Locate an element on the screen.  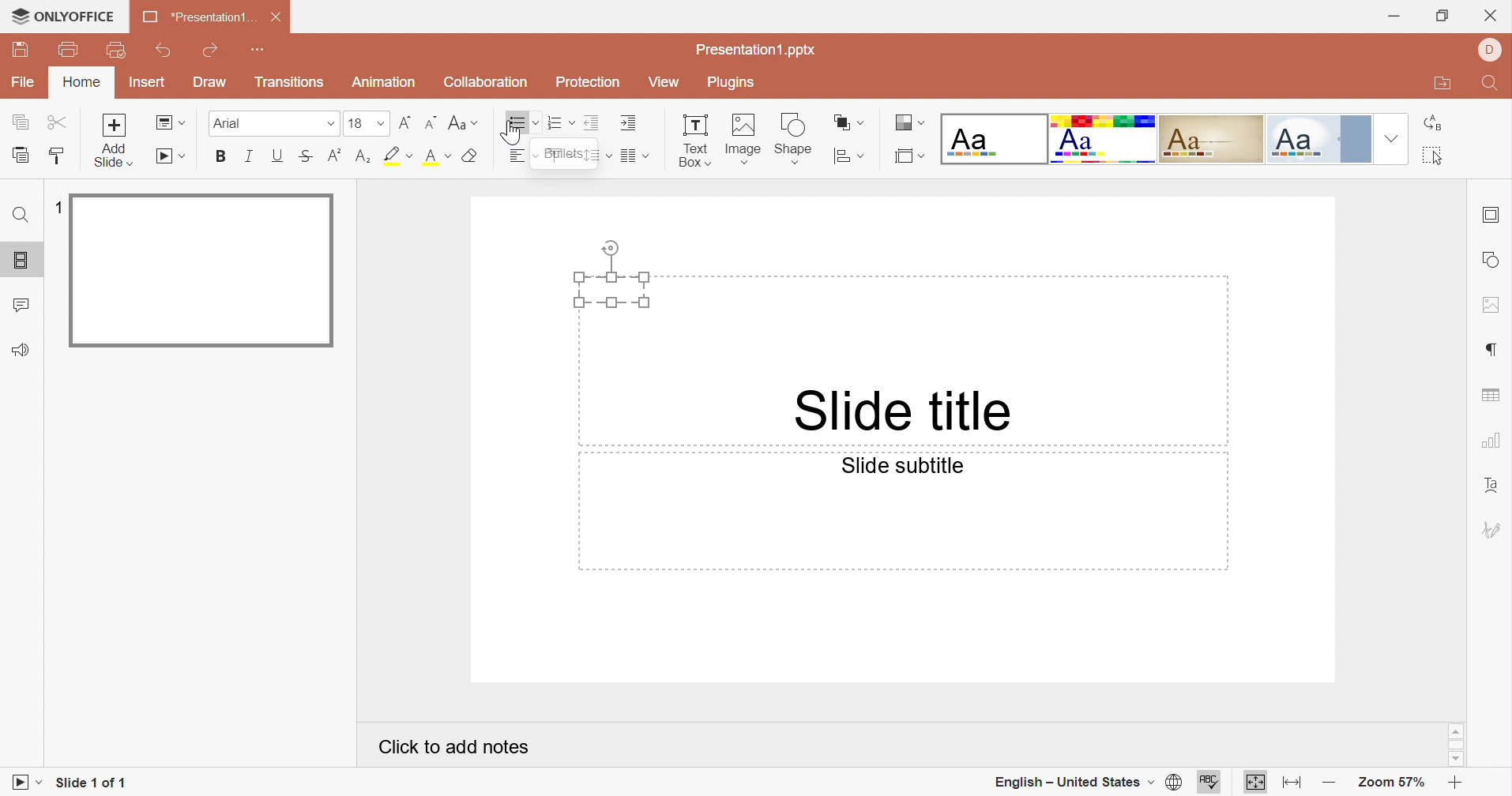
Animation is located at coordinates (389, 84).